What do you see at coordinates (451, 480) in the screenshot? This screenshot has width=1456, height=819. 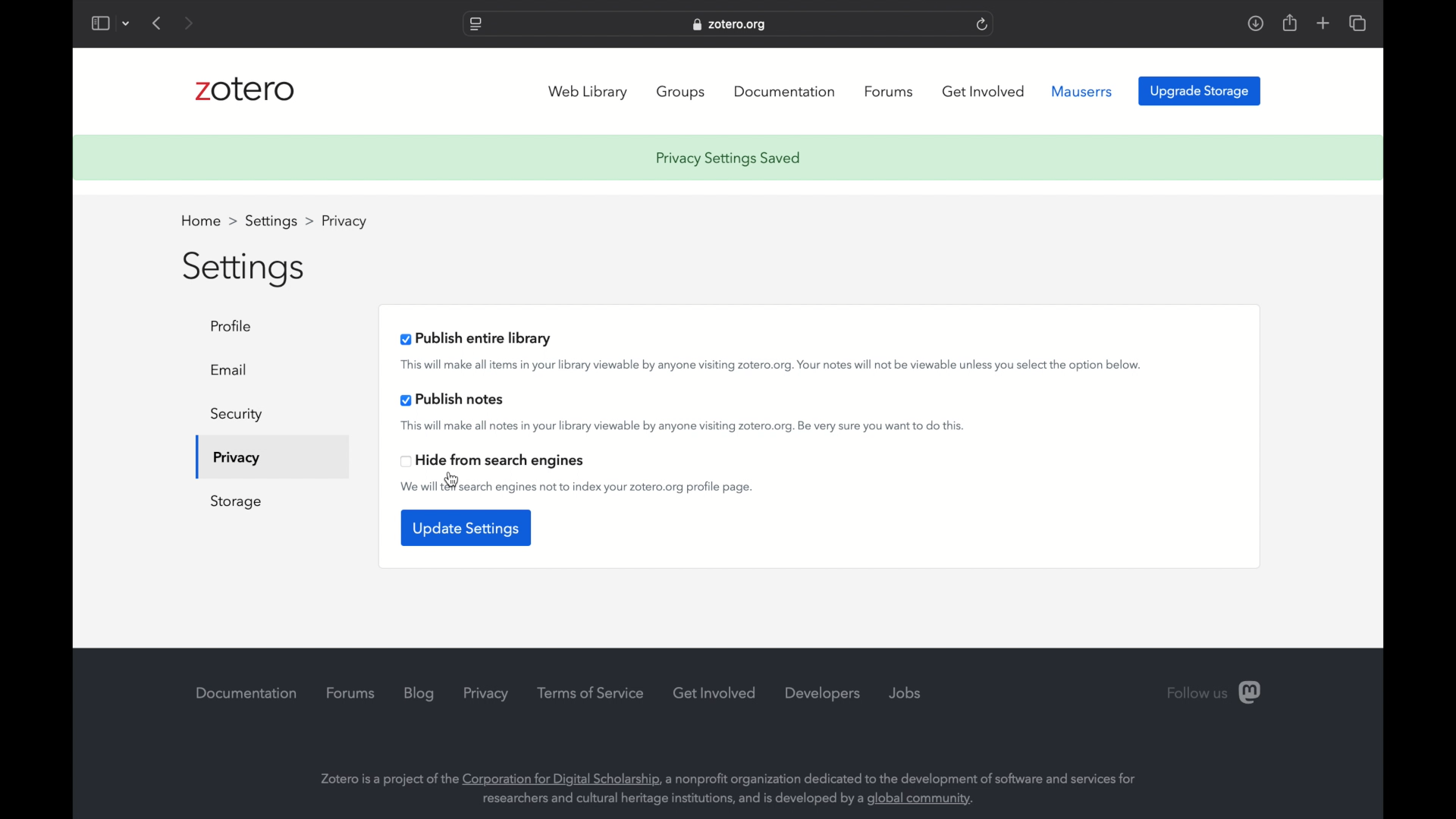 I see `cursor` at bounding box center [451, 480].